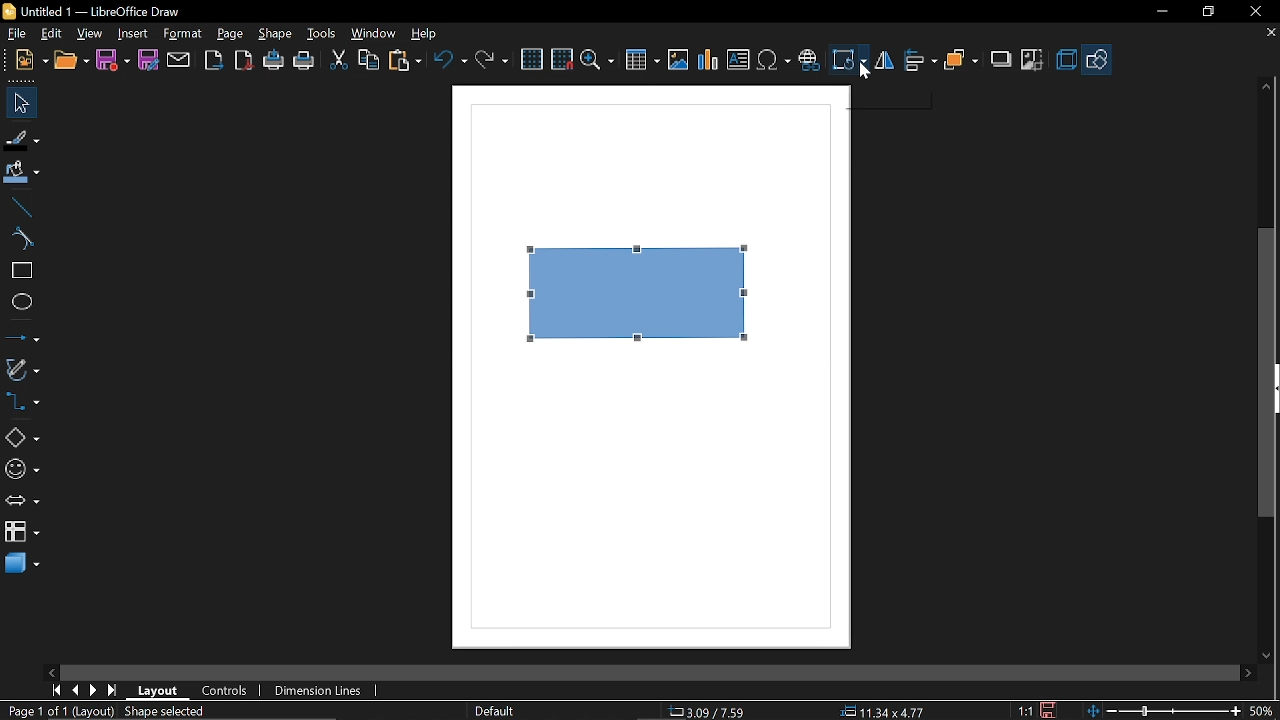  I want to click on Zoom, so click(597, 61).